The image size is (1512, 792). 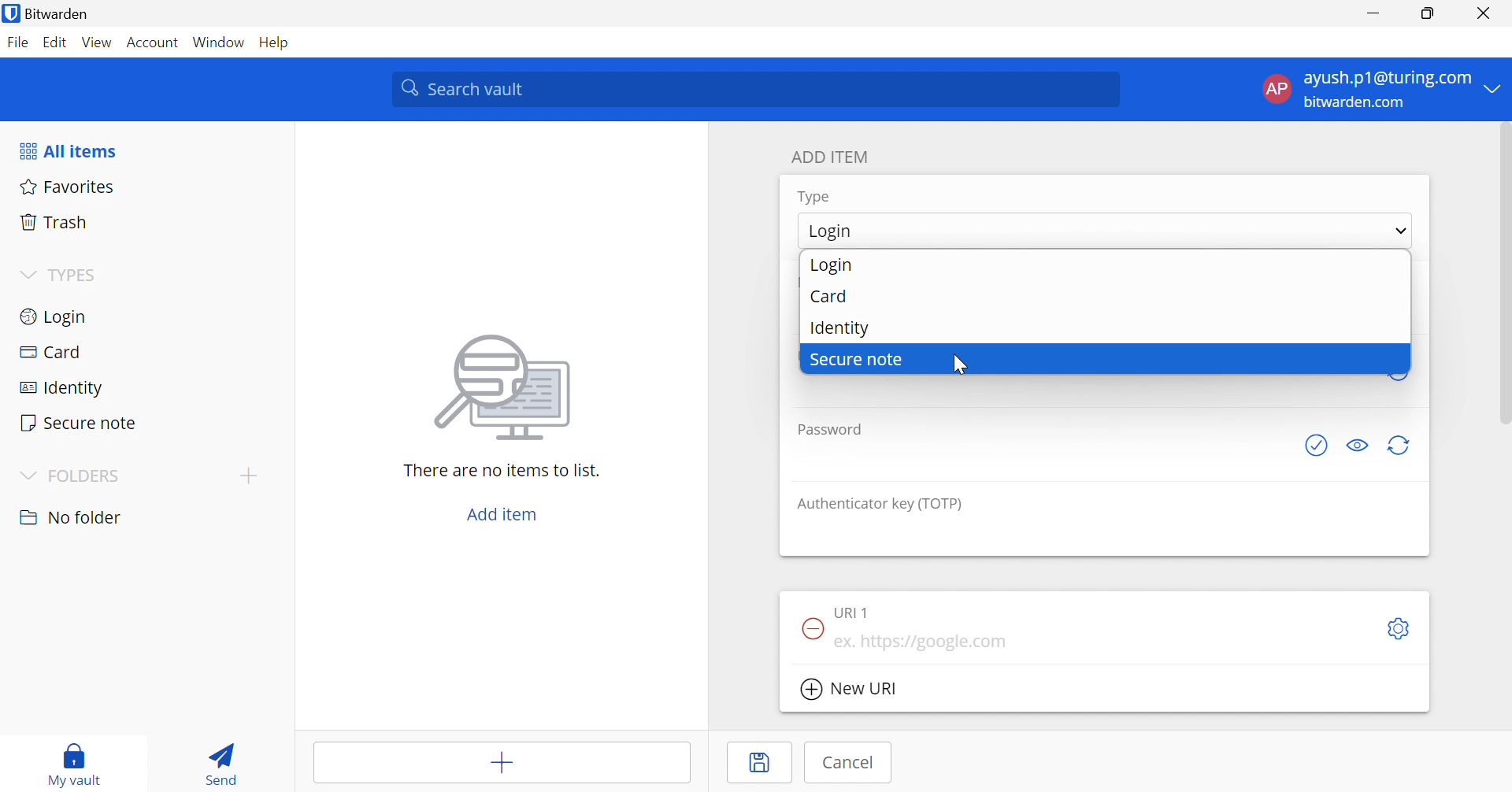 I want to click on Regenerate password, so click(x=1403, y=445).